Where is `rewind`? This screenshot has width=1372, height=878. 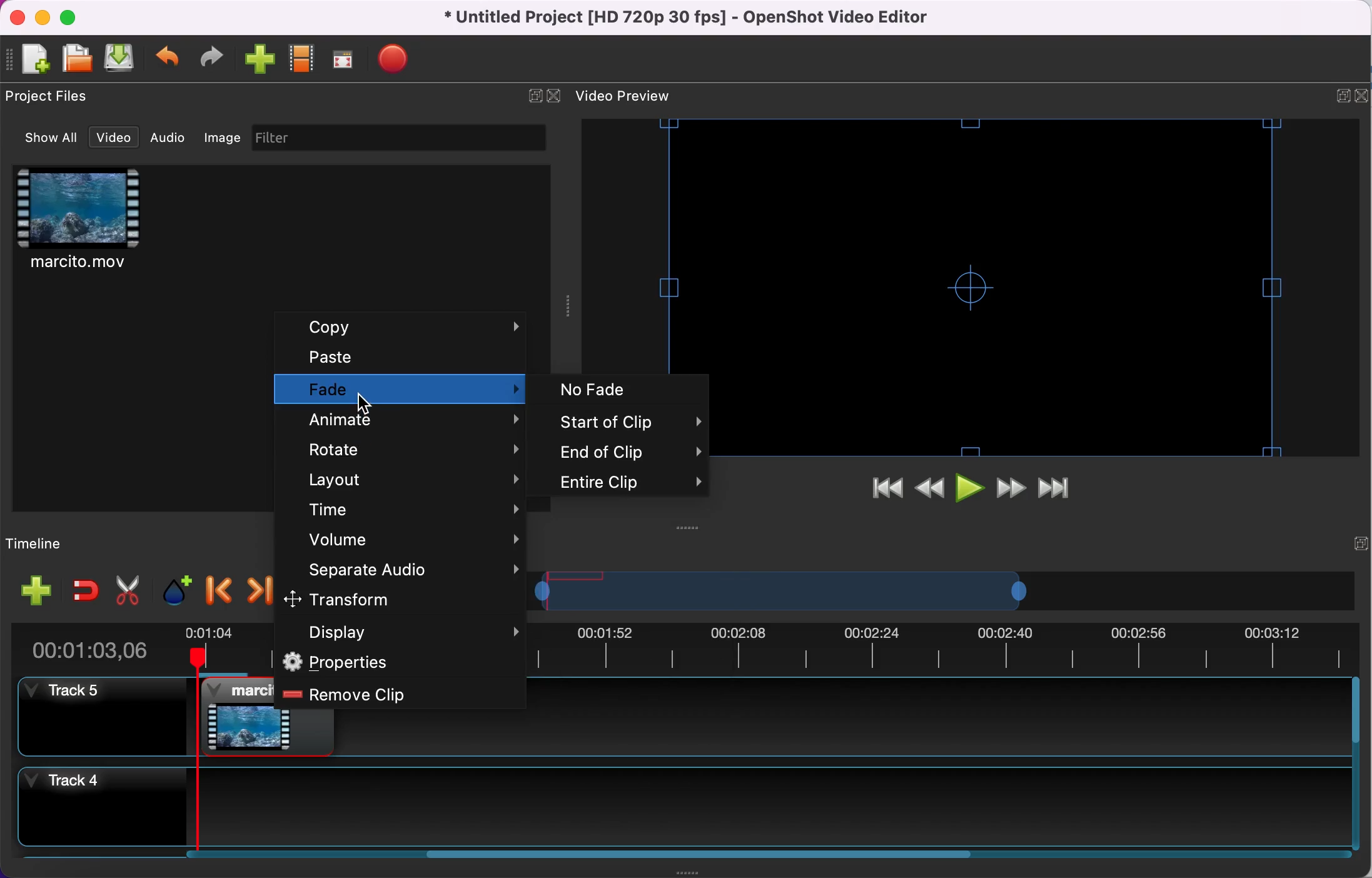
rewind is located at coordinates (932, 492).